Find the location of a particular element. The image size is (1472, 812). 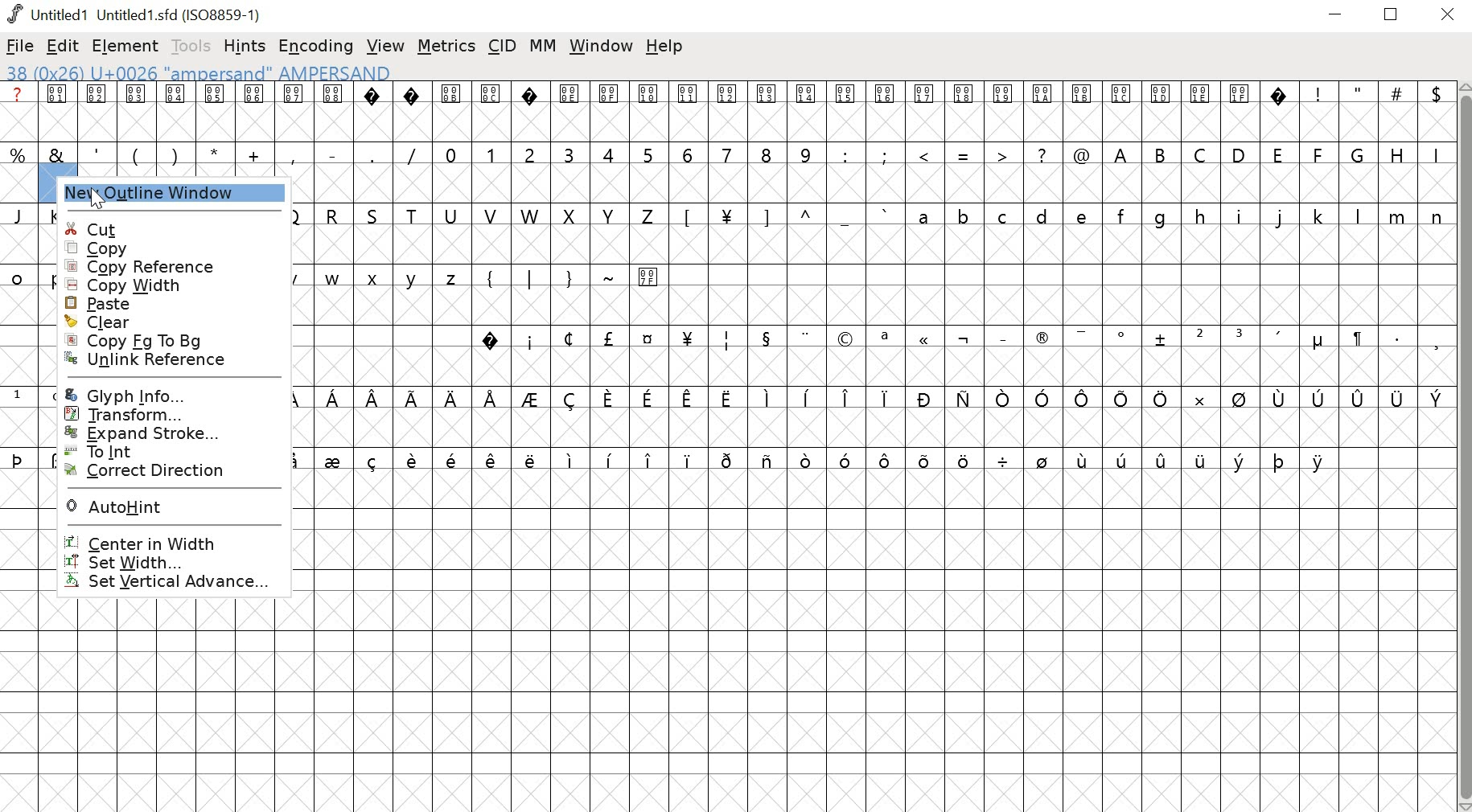

0019 is located at coordinates (1004, 112).